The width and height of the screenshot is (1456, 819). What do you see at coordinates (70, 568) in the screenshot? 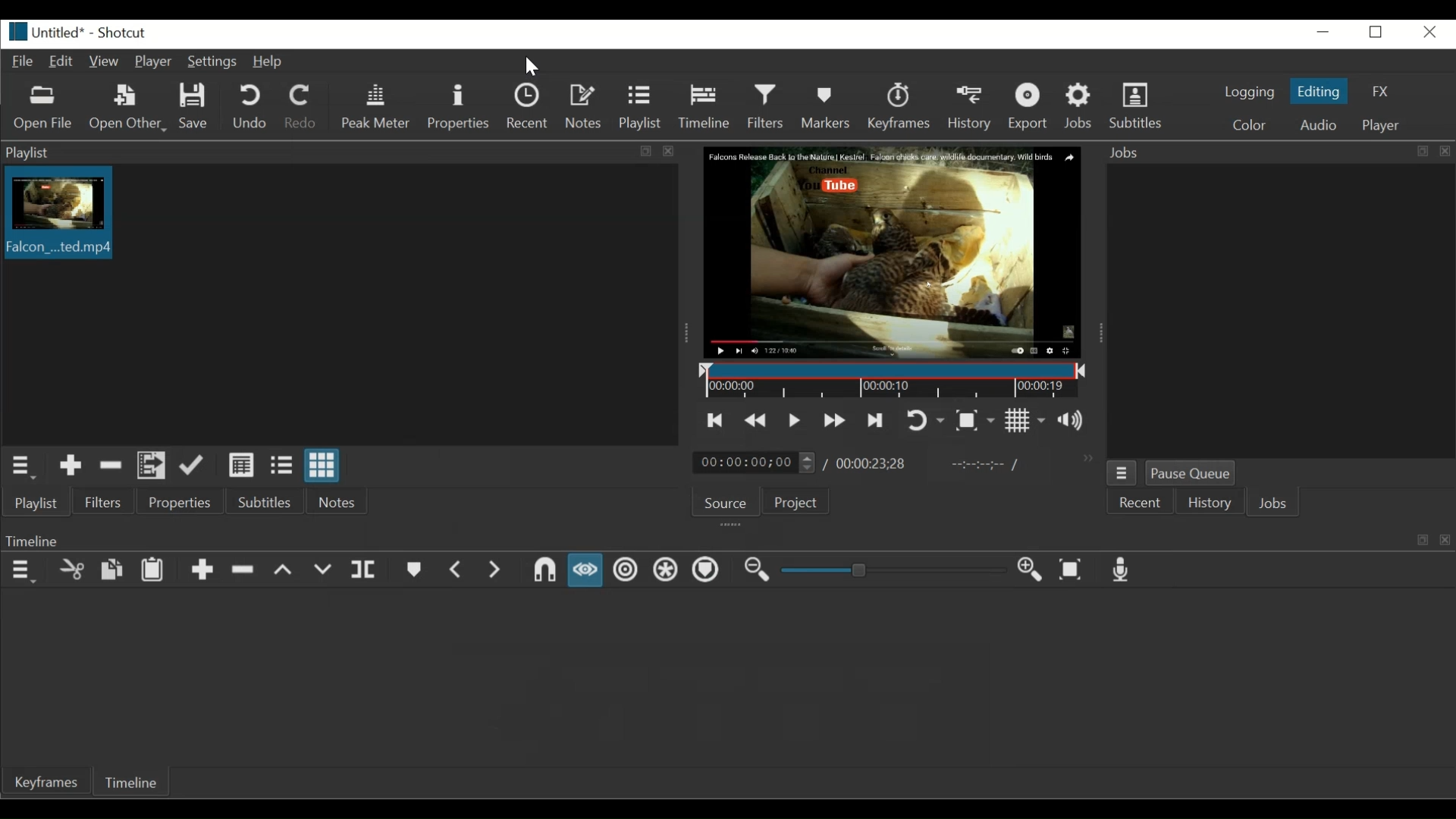
I see `Cut` at bounding box center [70, 568].